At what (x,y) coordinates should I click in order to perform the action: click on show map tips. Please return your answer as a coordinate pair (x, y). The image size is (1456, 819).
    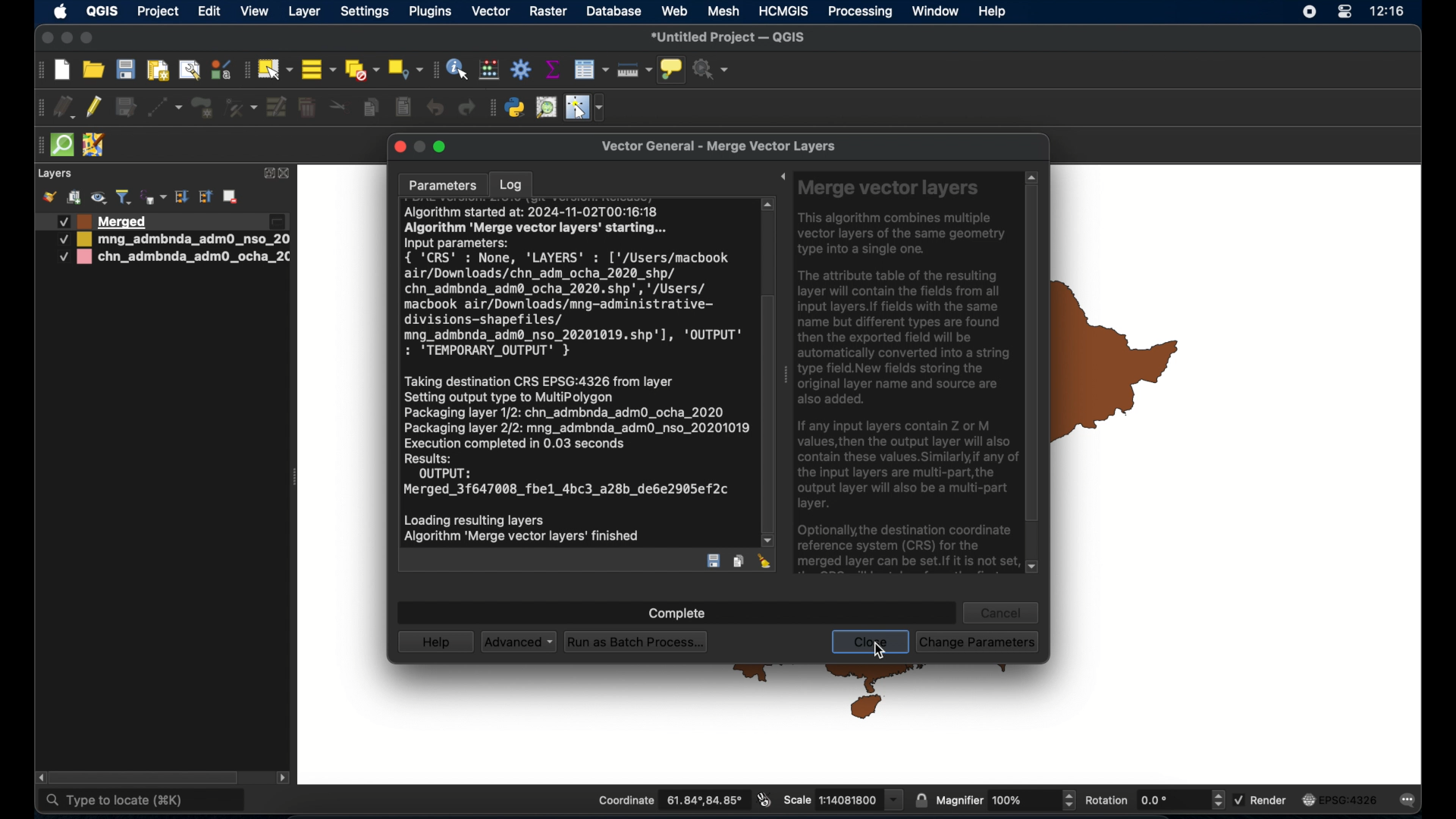
    Looking at the image, I should click on (670, 69).